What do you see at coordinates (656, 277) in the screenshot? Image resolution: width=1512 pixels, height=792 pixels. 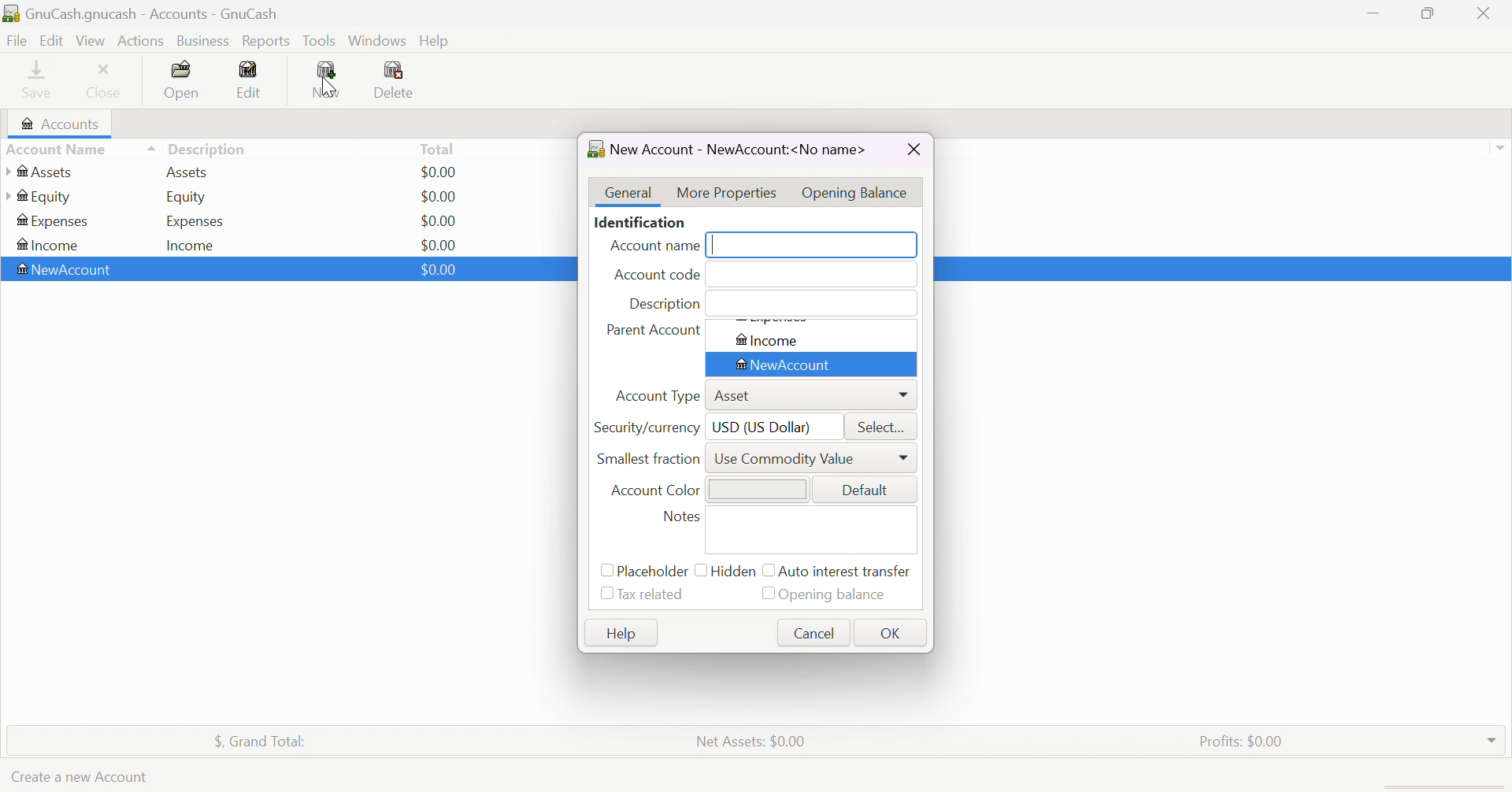 I see `Account code` at bounding box center [656, 277].